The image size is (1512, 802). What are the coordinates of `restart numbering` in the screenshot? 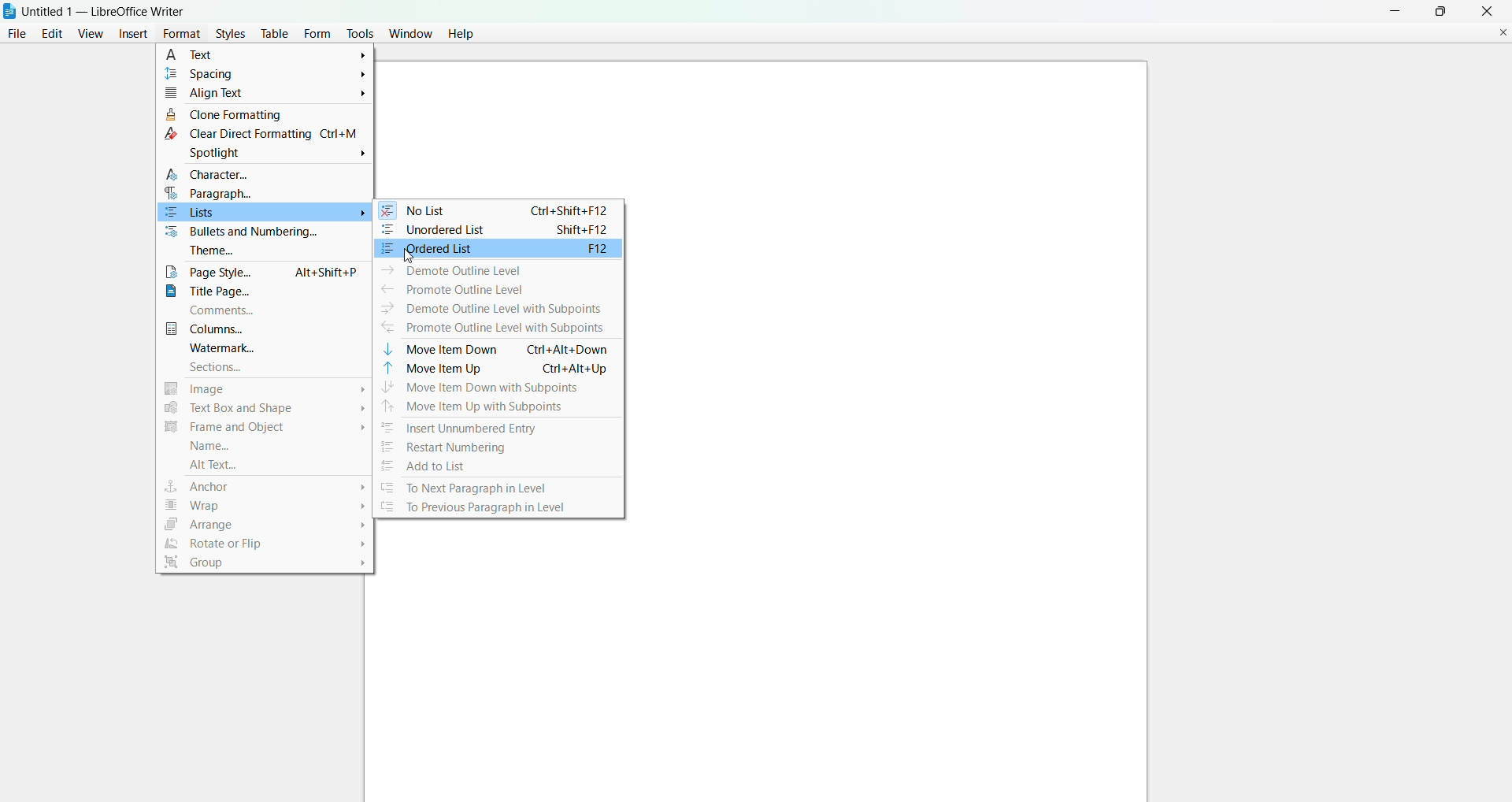 It's located at (443, 447).